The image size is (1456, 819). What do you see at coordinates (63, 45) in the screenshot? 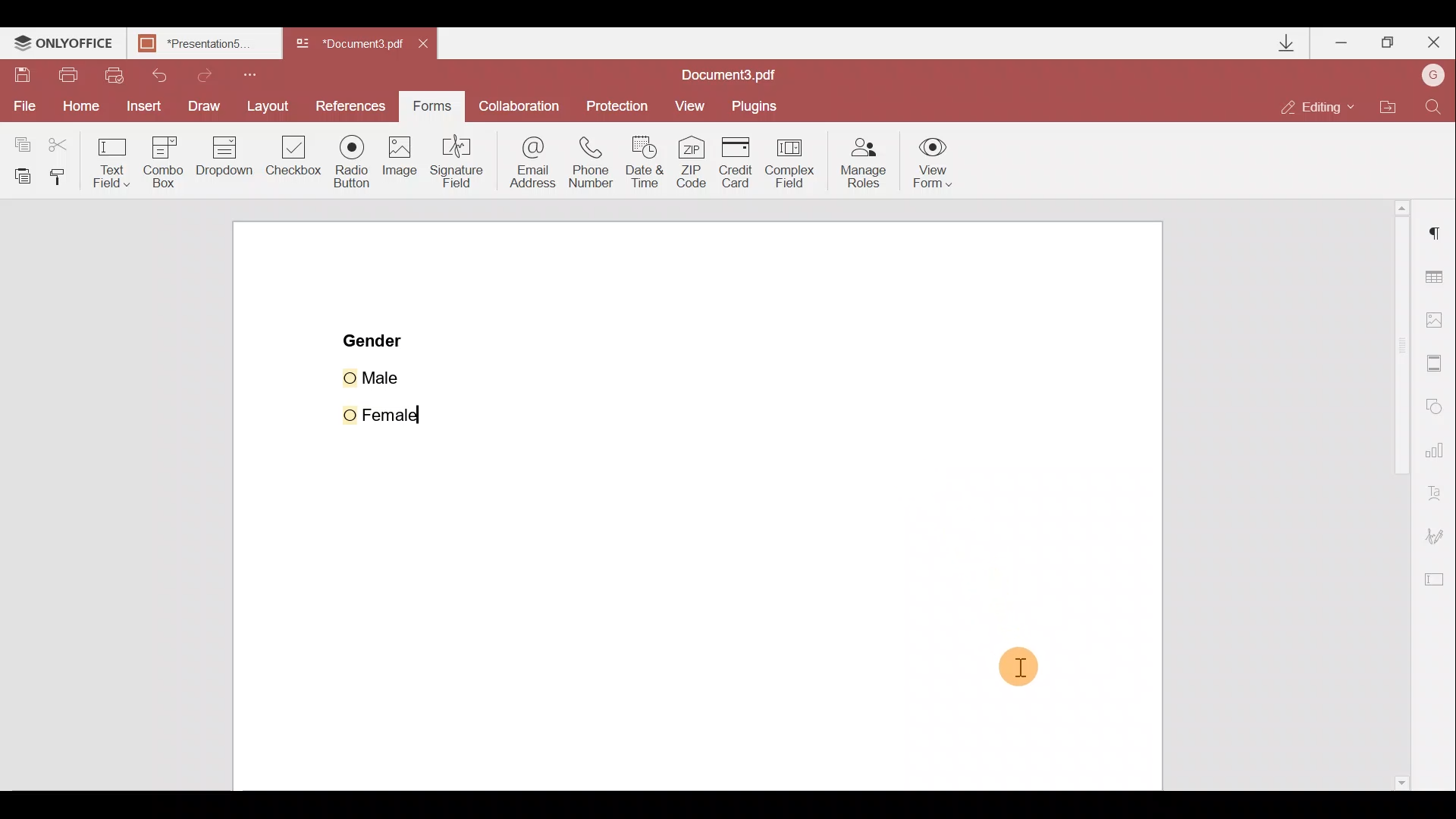
I see `ONLYOFFICE` at bounding box center [63, 45].